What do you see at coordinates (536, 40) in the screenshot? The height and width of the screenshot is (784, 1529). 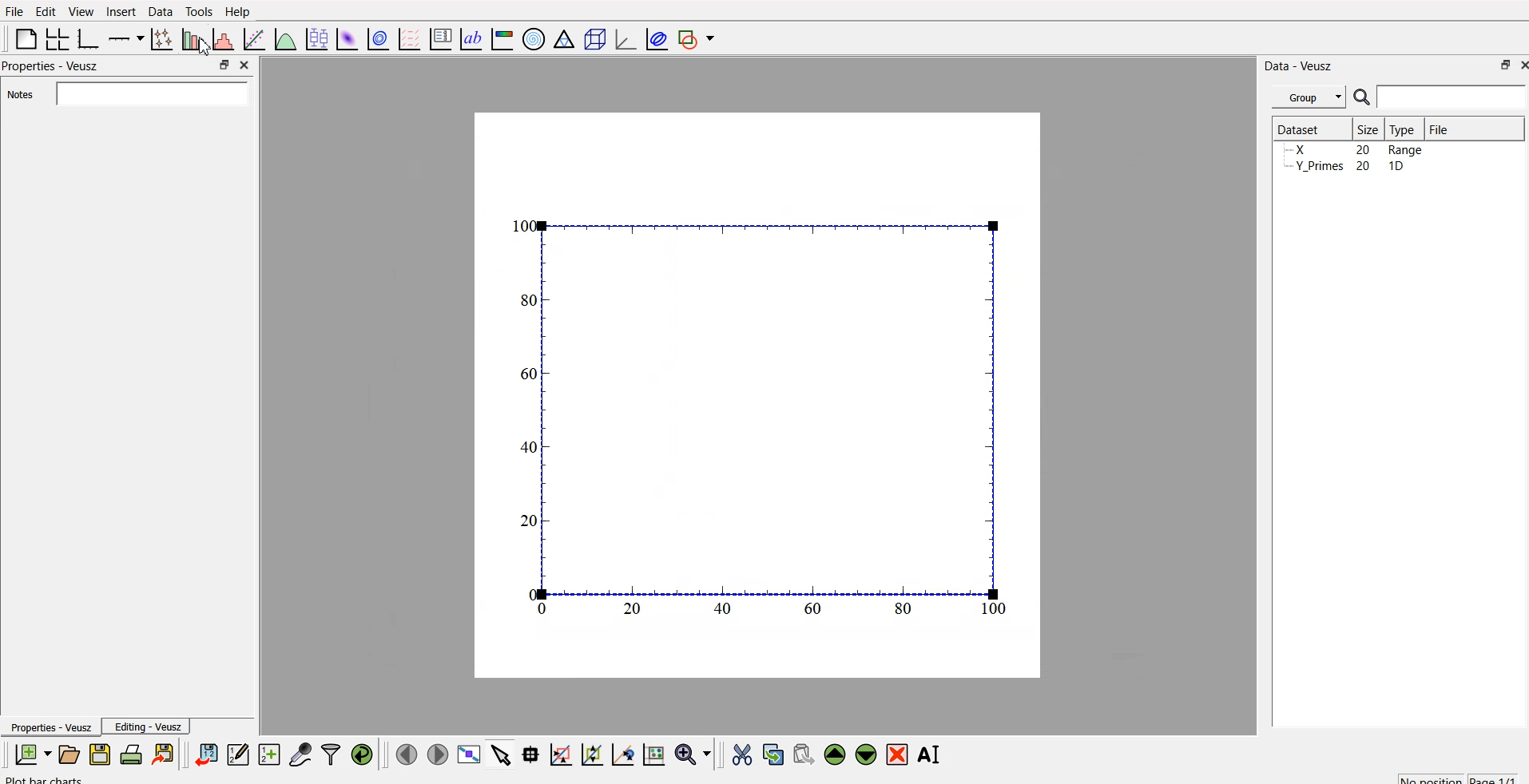 I see `polar graph` at bounding box center [536, 40].